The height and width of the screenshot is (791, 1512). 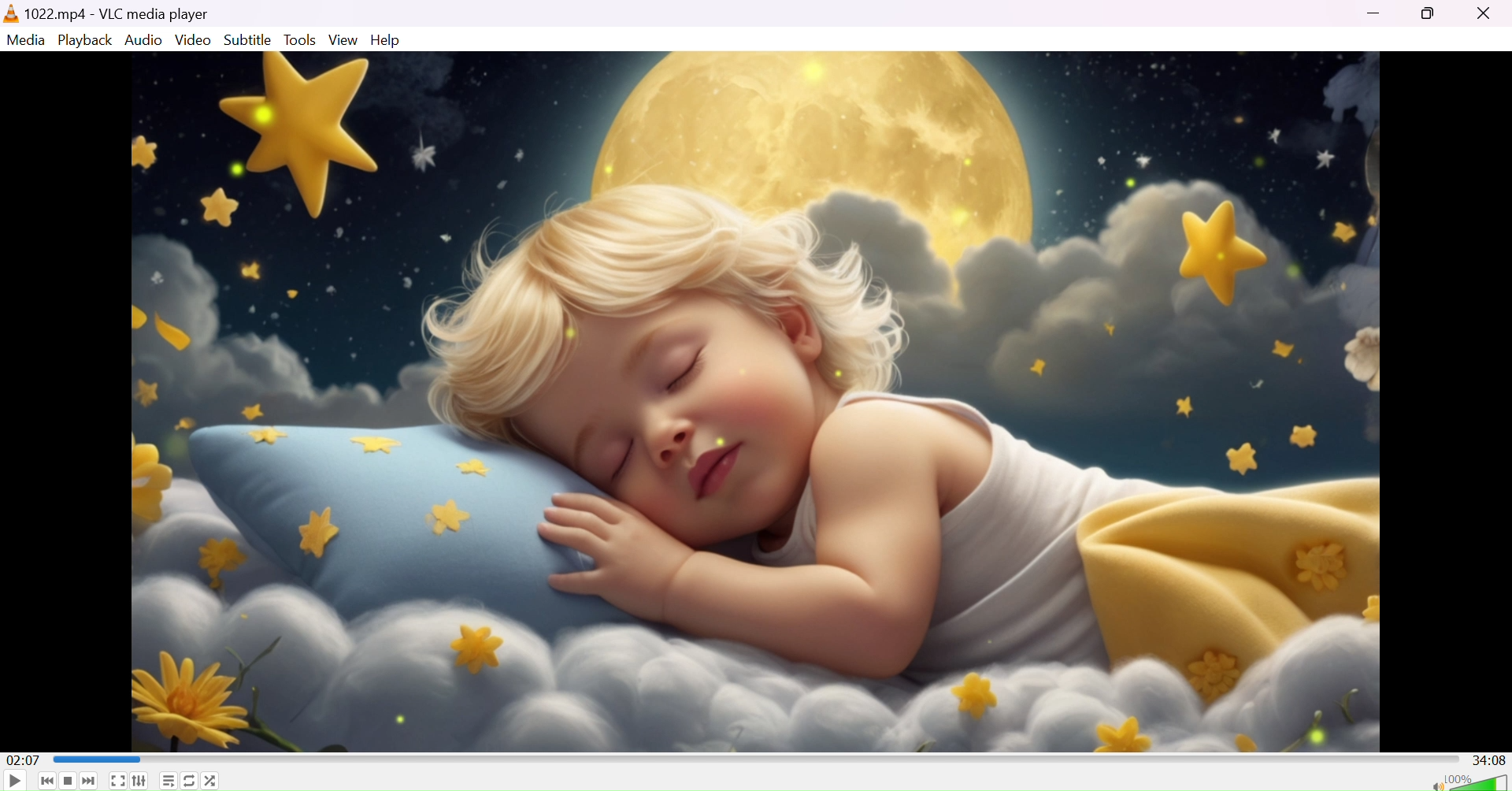 I want to click on Video, so click(x=191, y=41).